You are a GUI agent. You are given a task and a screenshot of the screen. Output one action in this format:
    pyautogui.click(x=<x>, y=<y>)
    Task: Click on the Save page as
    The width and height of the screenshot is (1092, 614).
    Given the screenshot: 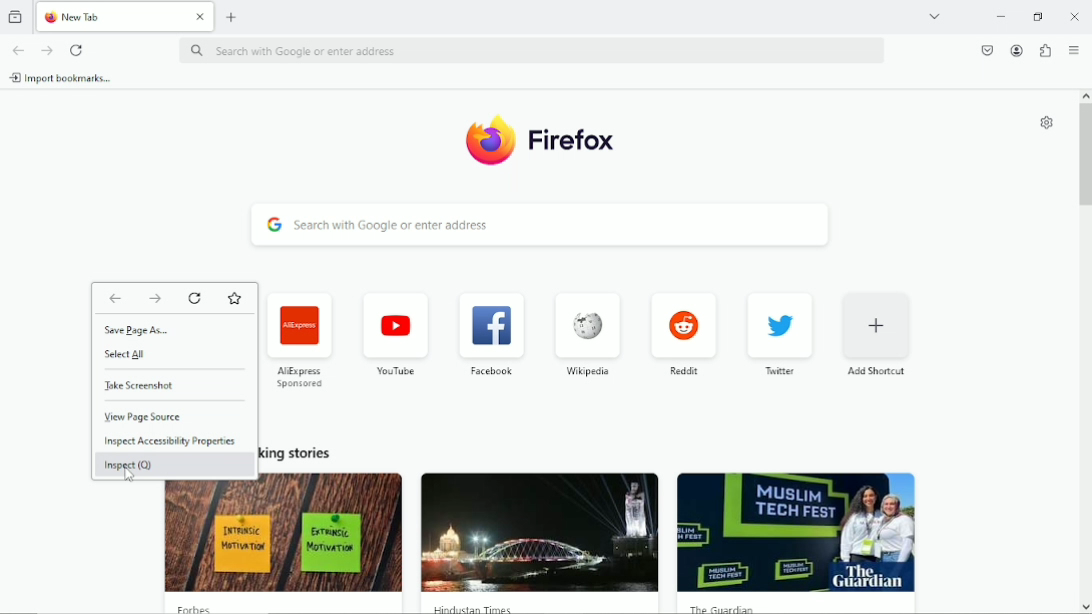 What is the action you would take?
    pyautogui.click(x=146, y=329)
    